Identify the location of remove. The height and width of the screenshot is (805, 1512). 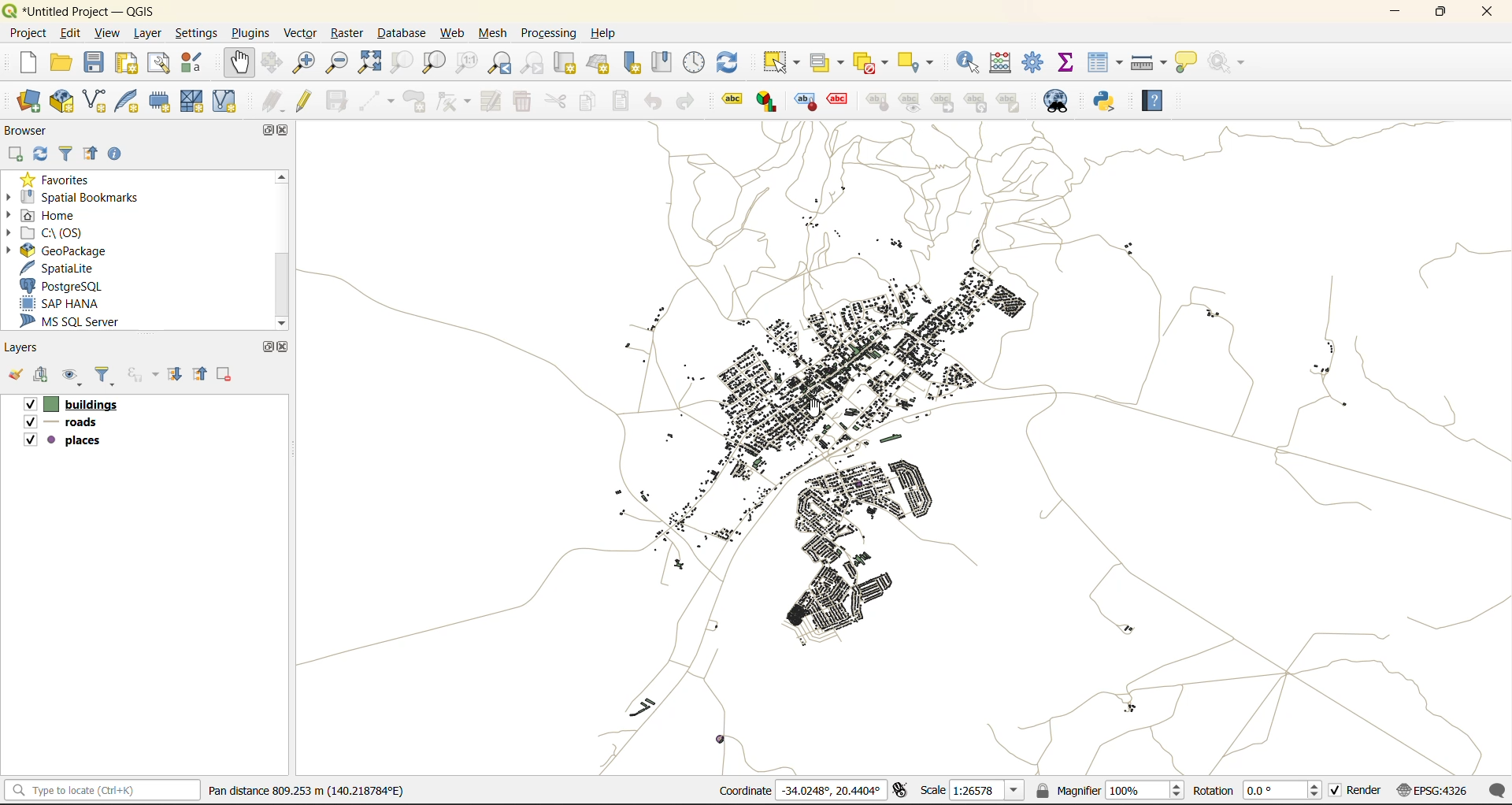
(227, 374).